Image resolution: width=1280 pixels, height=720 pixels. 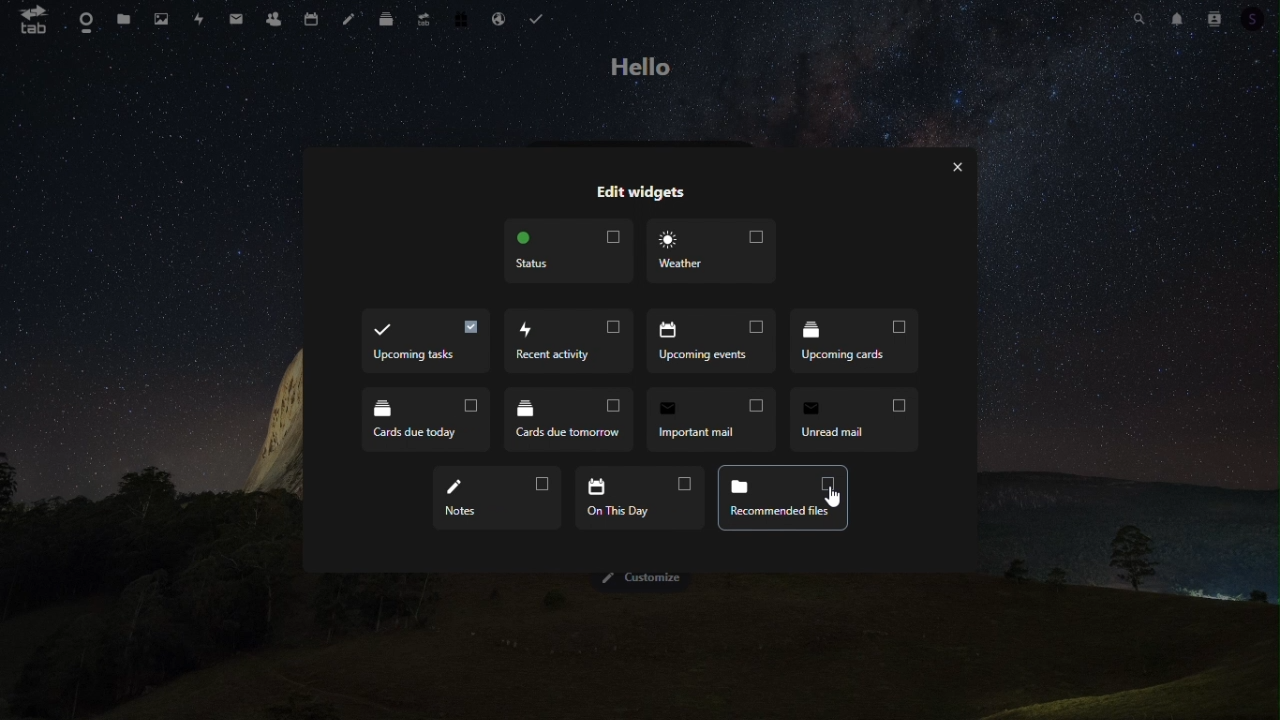 I want to click on Account icon, so click(x=1213, y=19).